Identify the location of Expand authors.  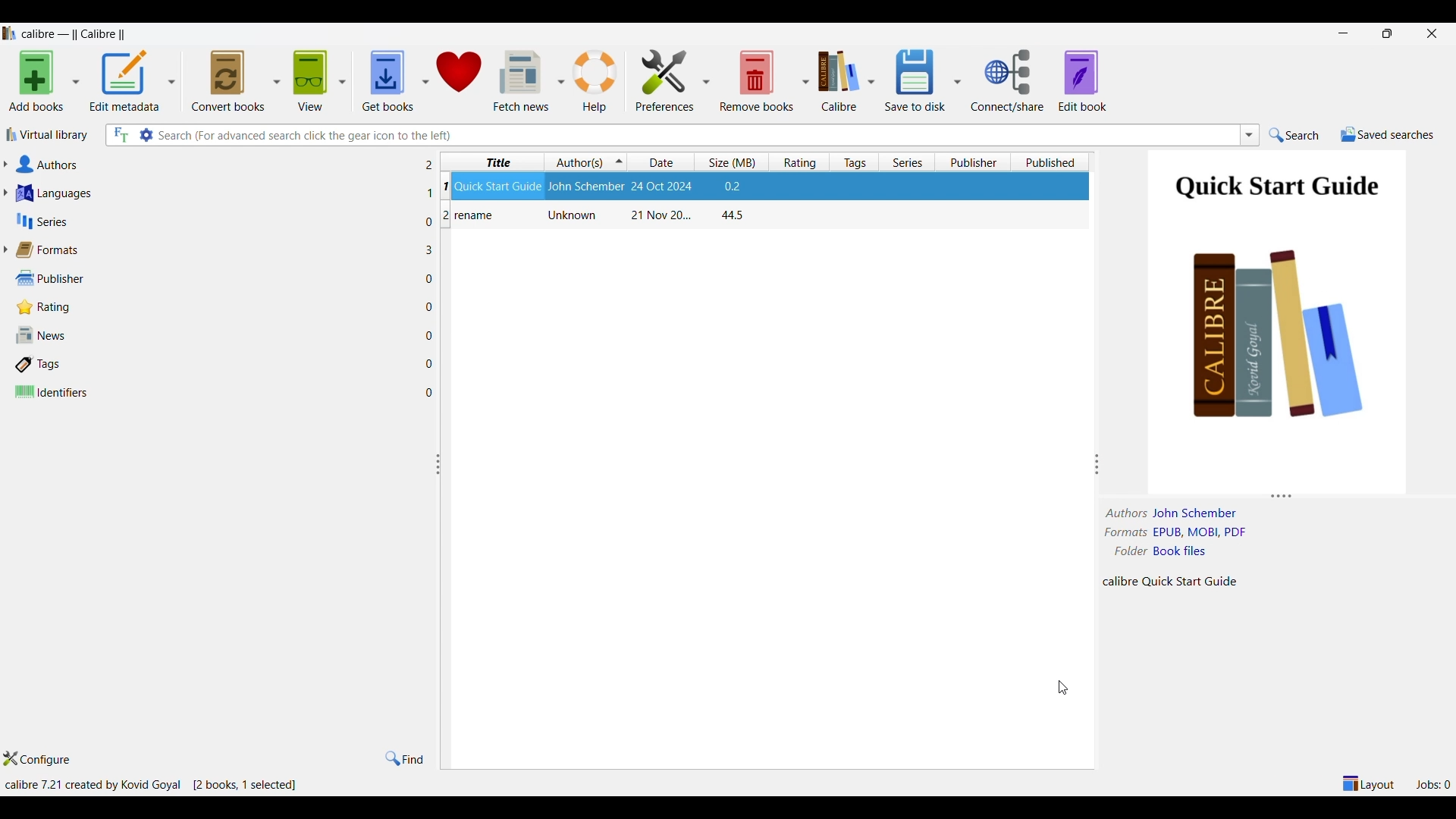
(5, 164).